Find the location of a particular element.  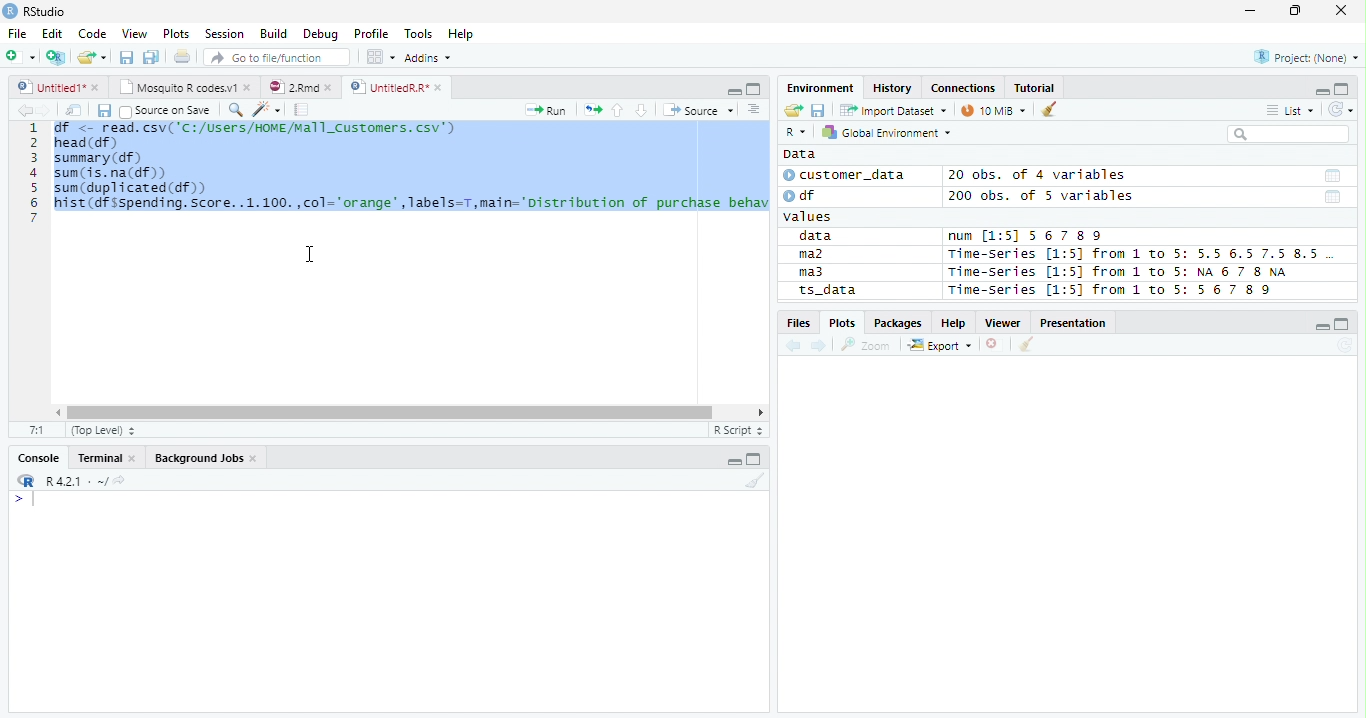

values is located at coordinates (810, 217).